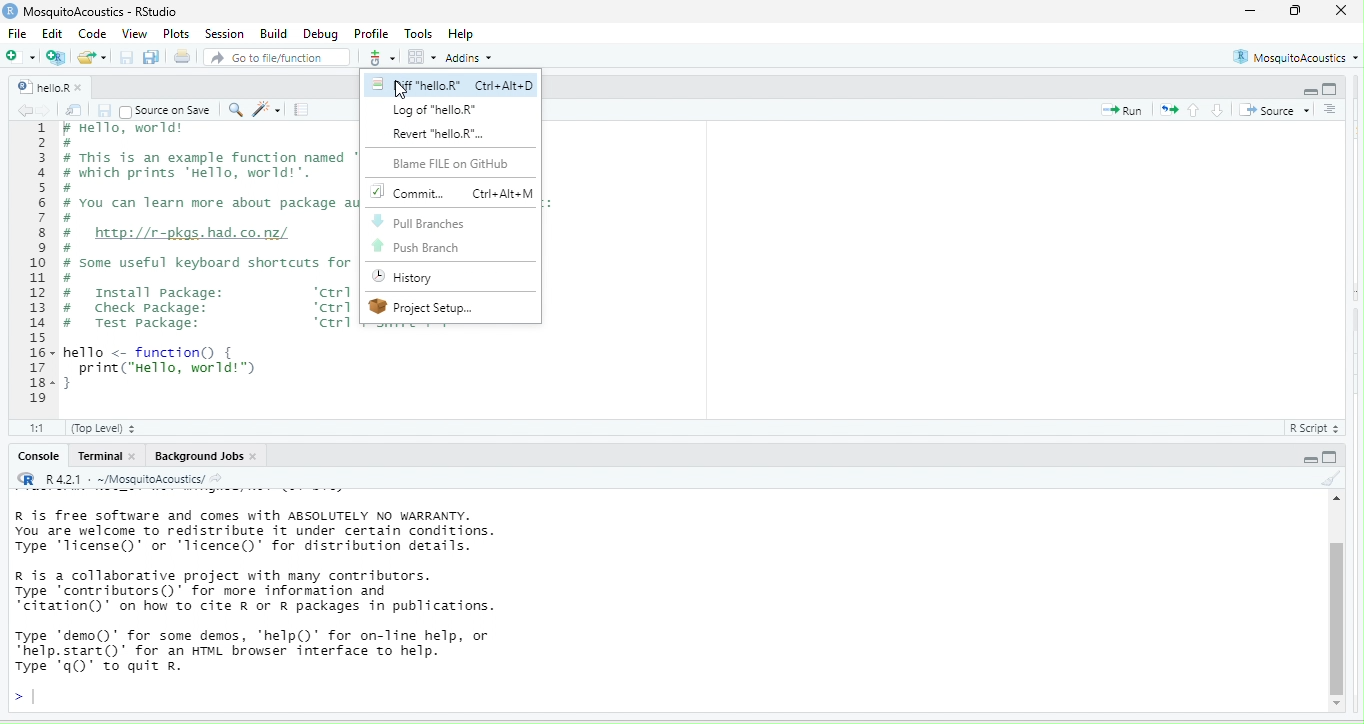  What do you see at coordinates (418, 33) in the screenshot?
I see `Tools` at bounding box center [418, 33].